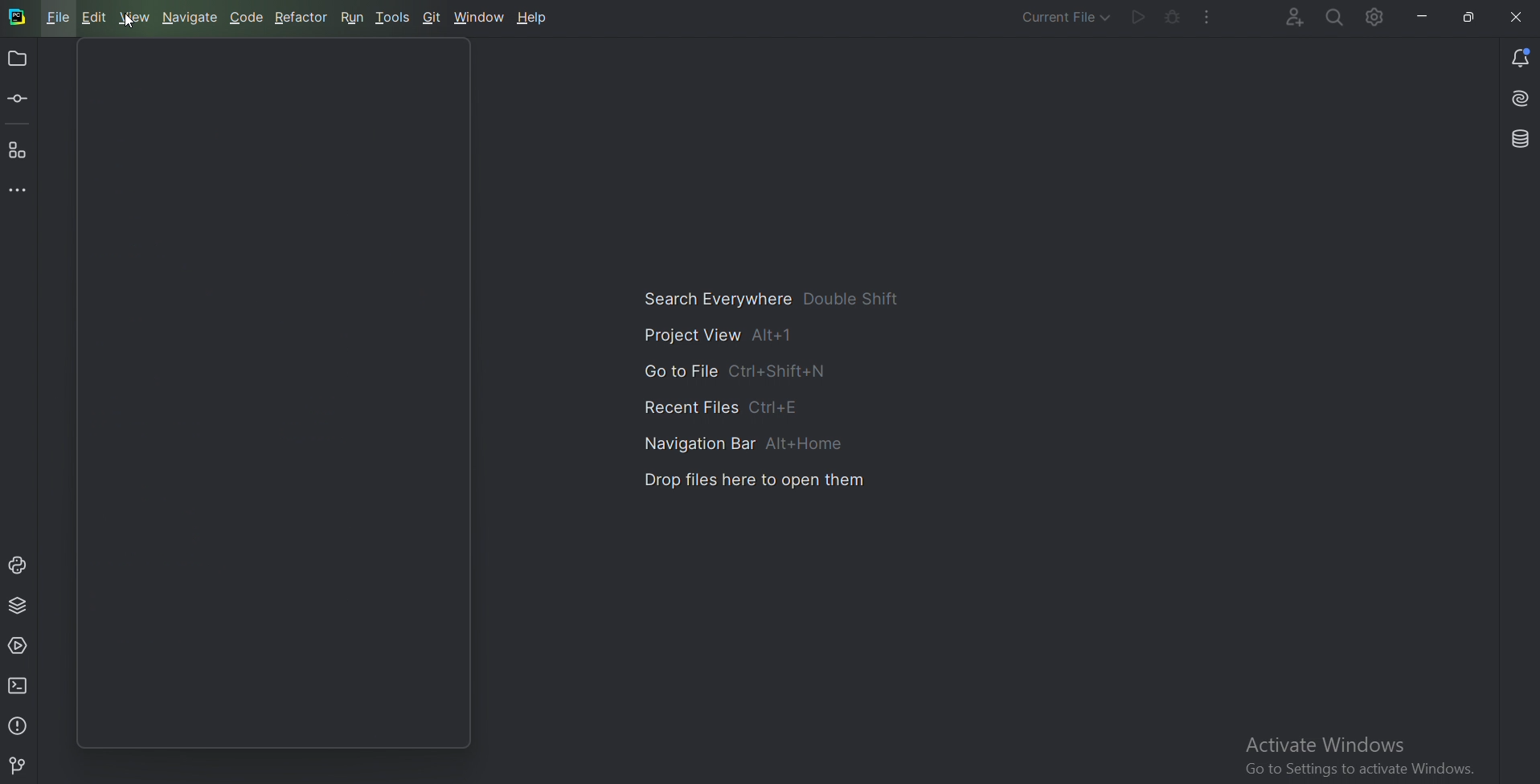 The width and height of the screenshot is (1540, 784). I want to click on View, so click(132, 22).